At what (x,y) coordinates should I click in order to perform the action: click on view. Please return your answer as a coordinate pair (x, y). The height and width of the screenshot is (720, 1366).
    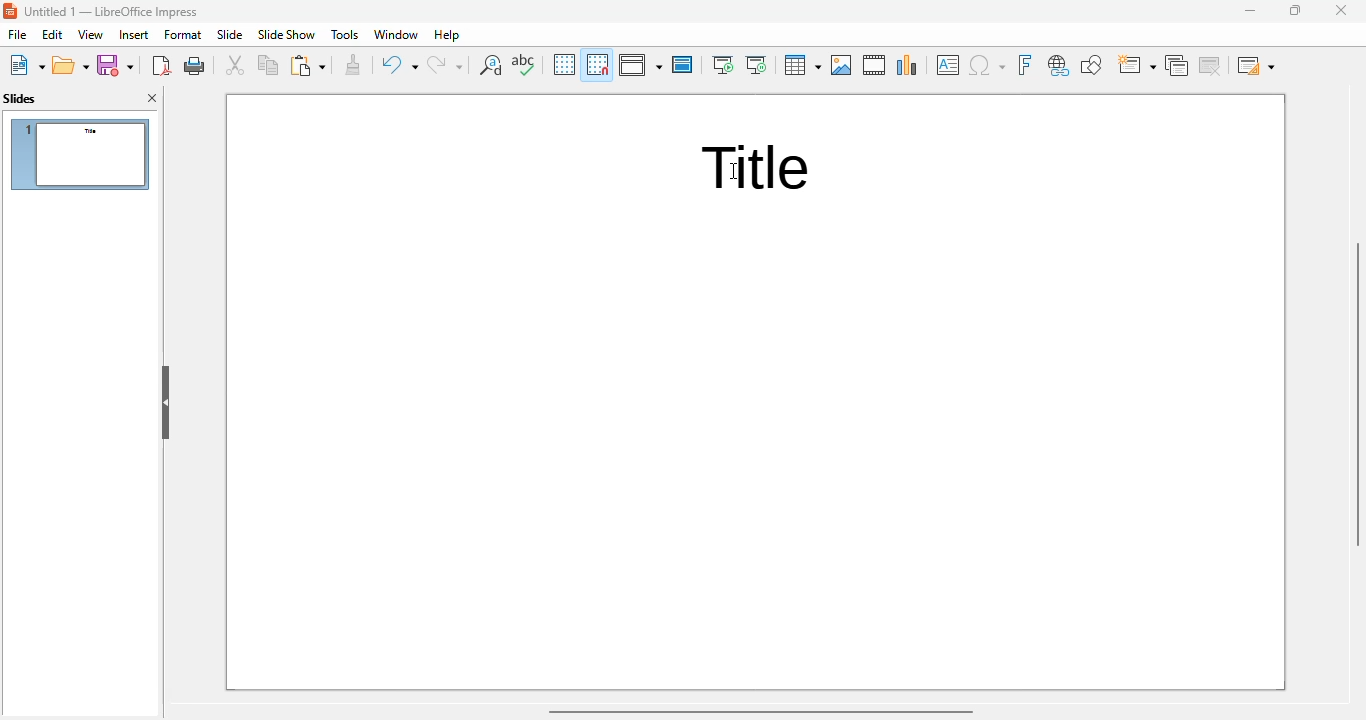
    Looking at the image, I should click on (90, 34).